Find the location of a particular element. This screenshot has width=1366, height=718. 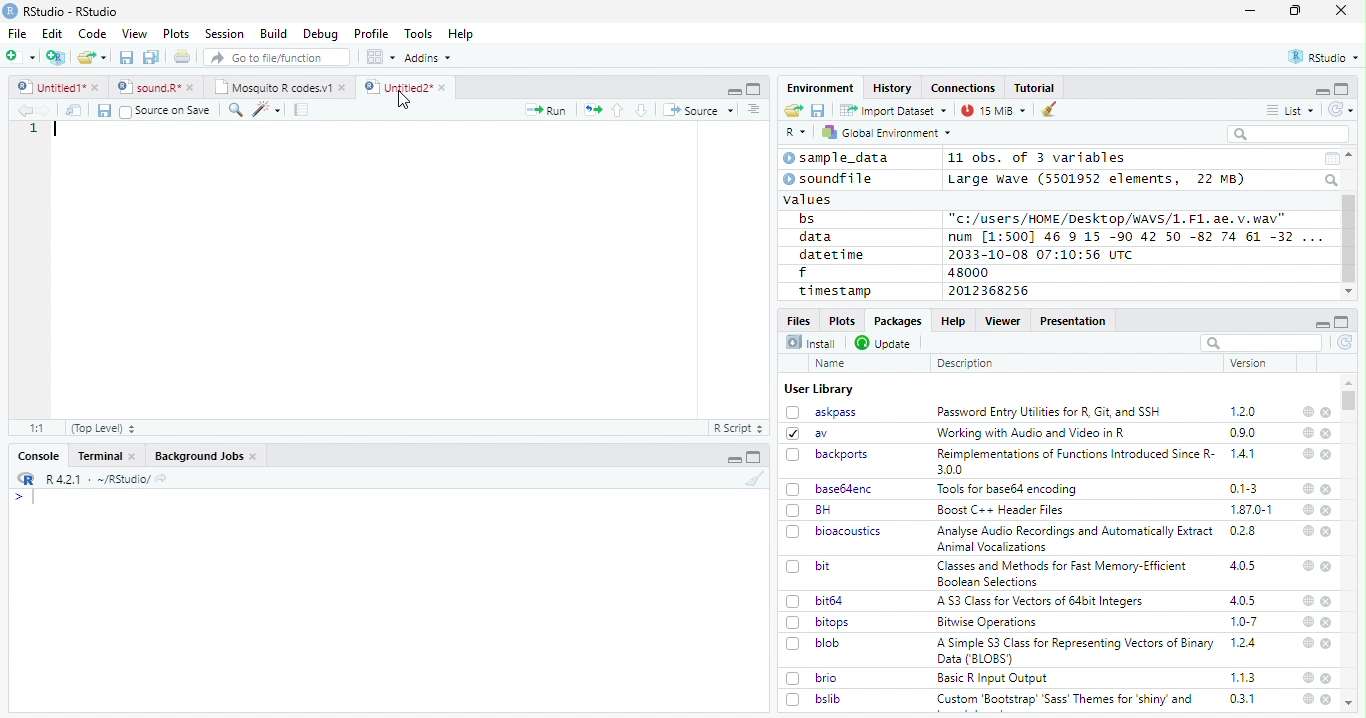

close is located at coordinates (1326, 413).